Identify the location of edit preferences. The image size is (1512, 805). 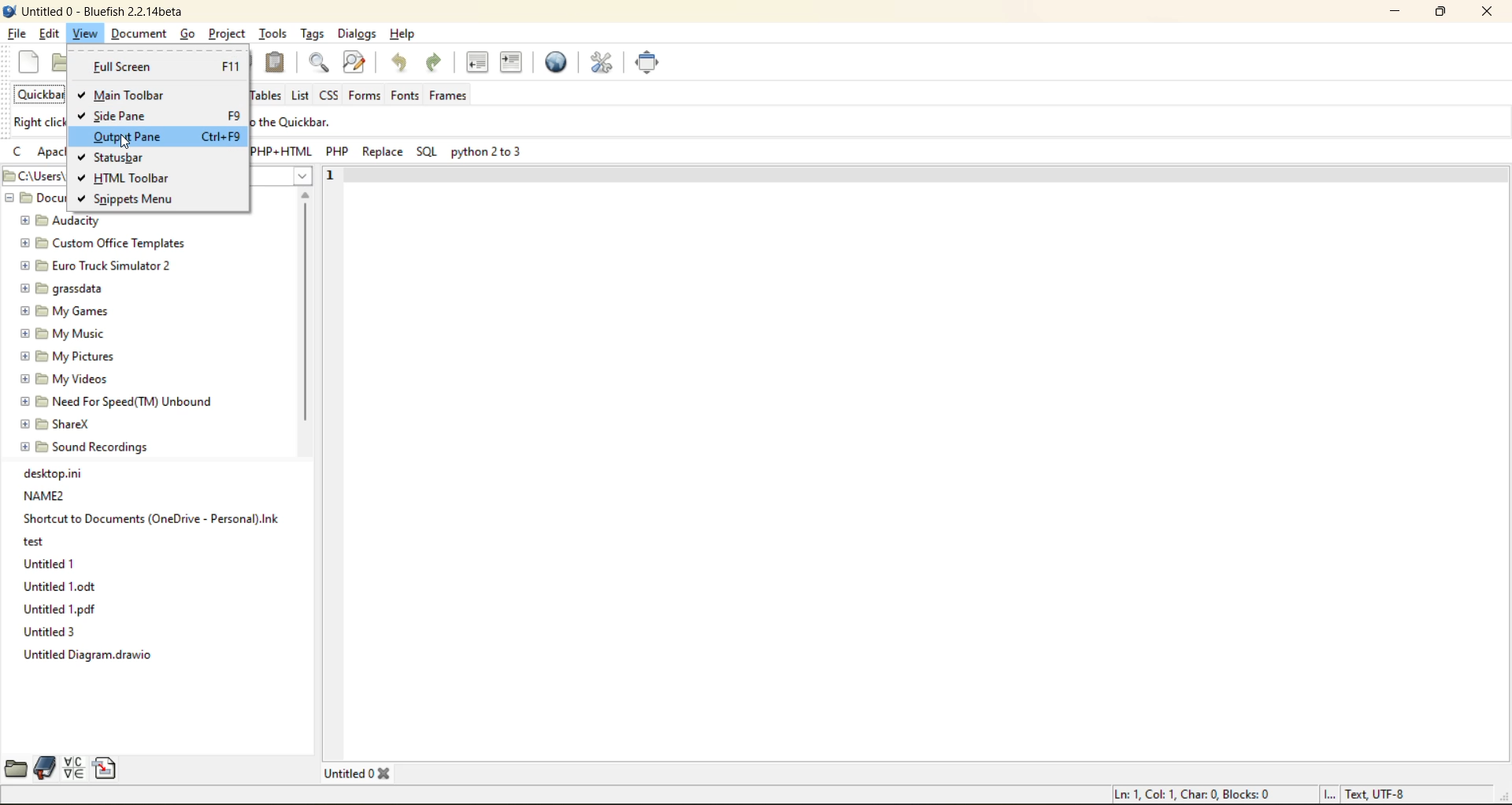
(603, 64).